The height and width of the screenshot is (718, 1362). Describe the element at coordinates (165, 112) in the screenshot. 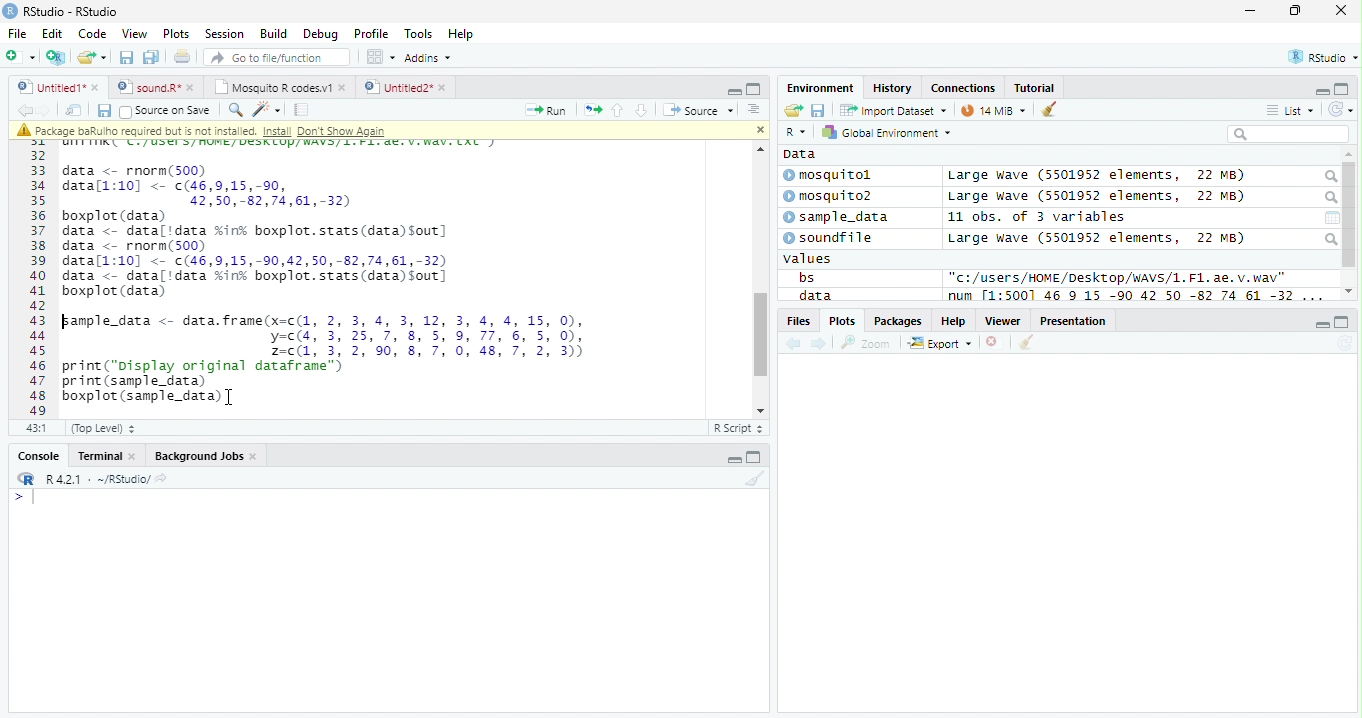

I see `Source on save` at that location.